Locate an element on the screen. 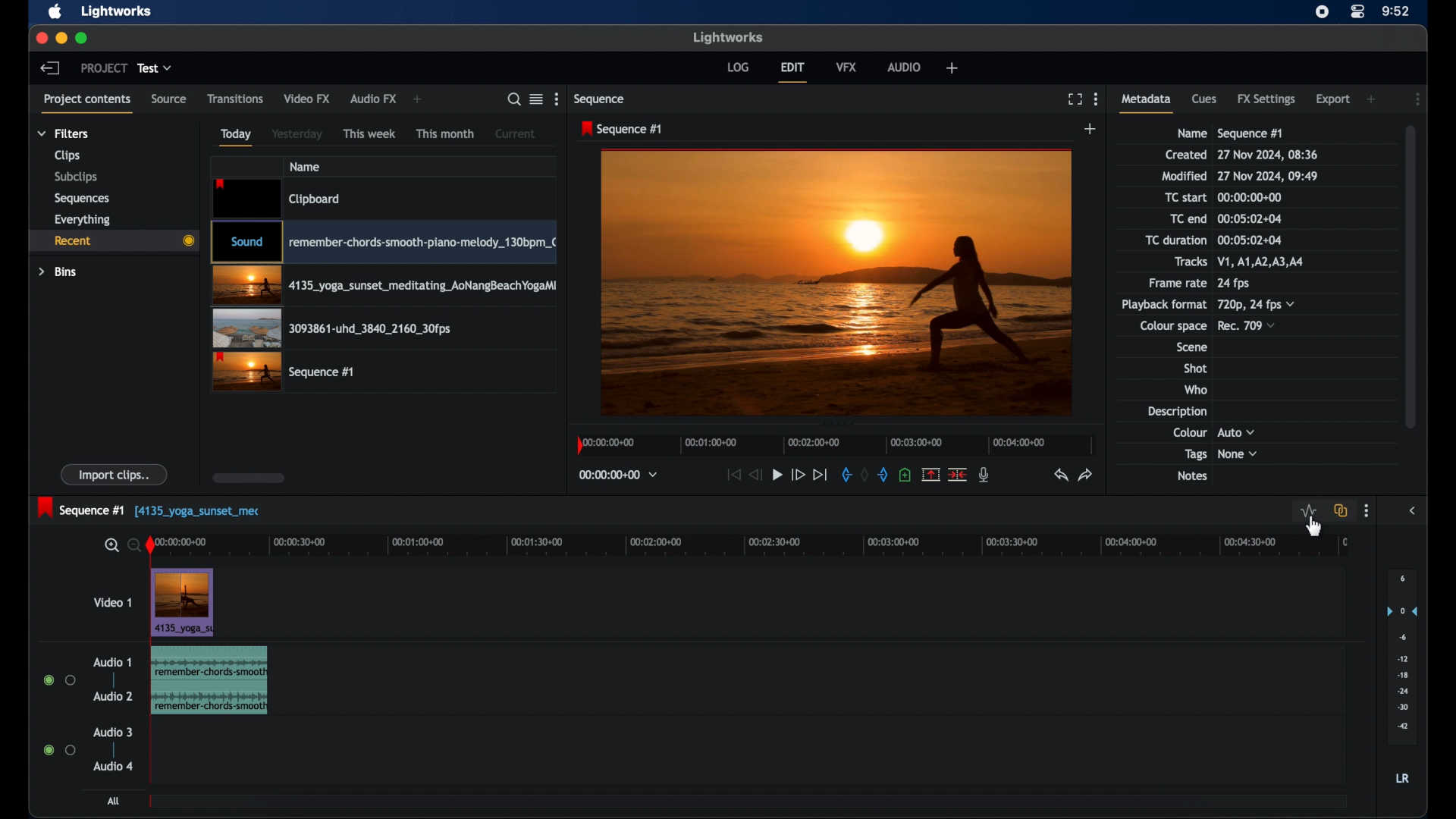 Image resolution: width=1456 pixels, height=819 pixels. sequence 1 is located at coordinates (150, 508).